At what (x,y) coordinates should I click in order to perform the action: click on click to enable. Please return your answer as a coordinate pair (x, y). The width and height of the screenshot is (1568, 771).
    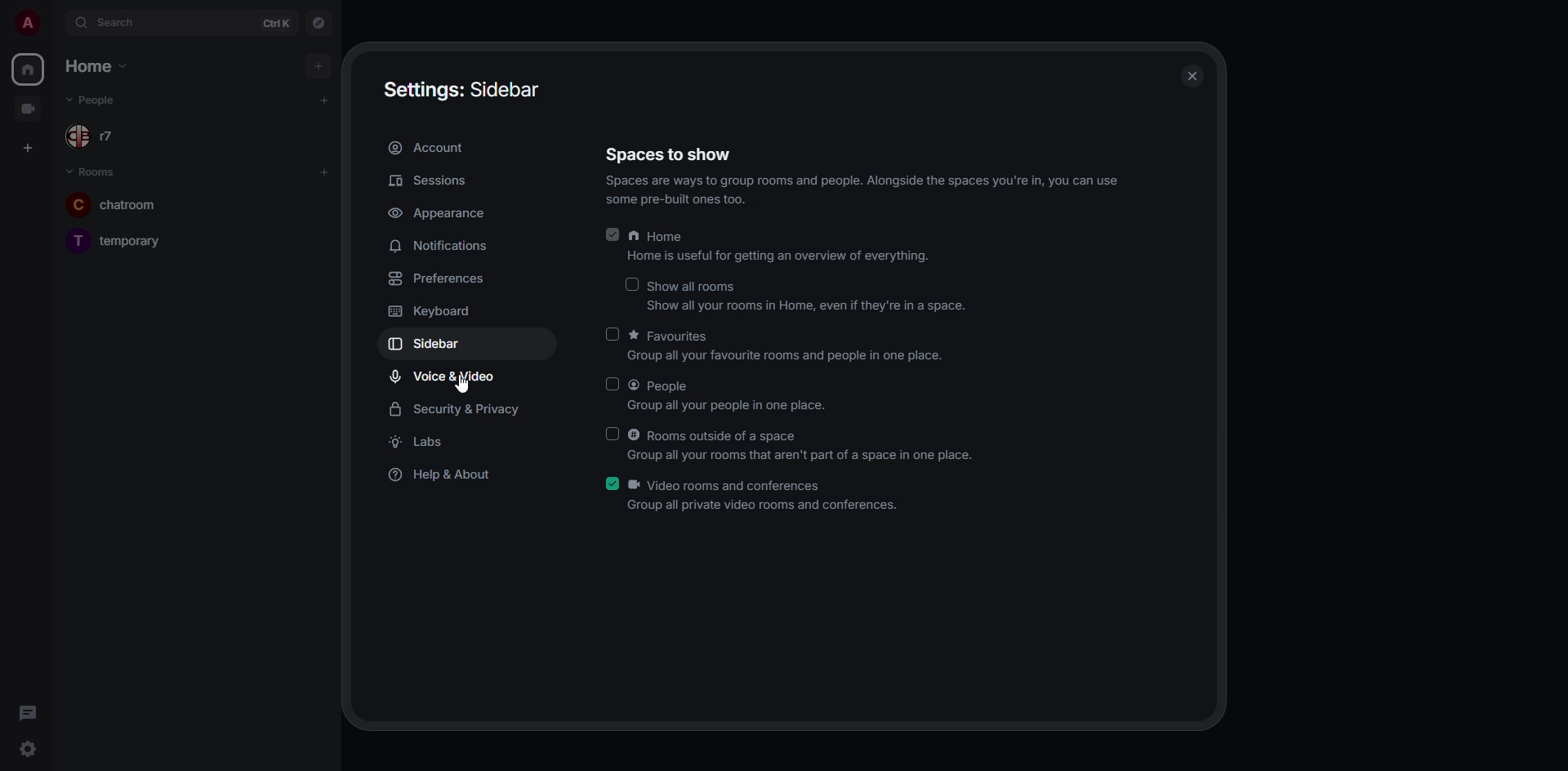
    Looking at the image, I should click on (635, 283).